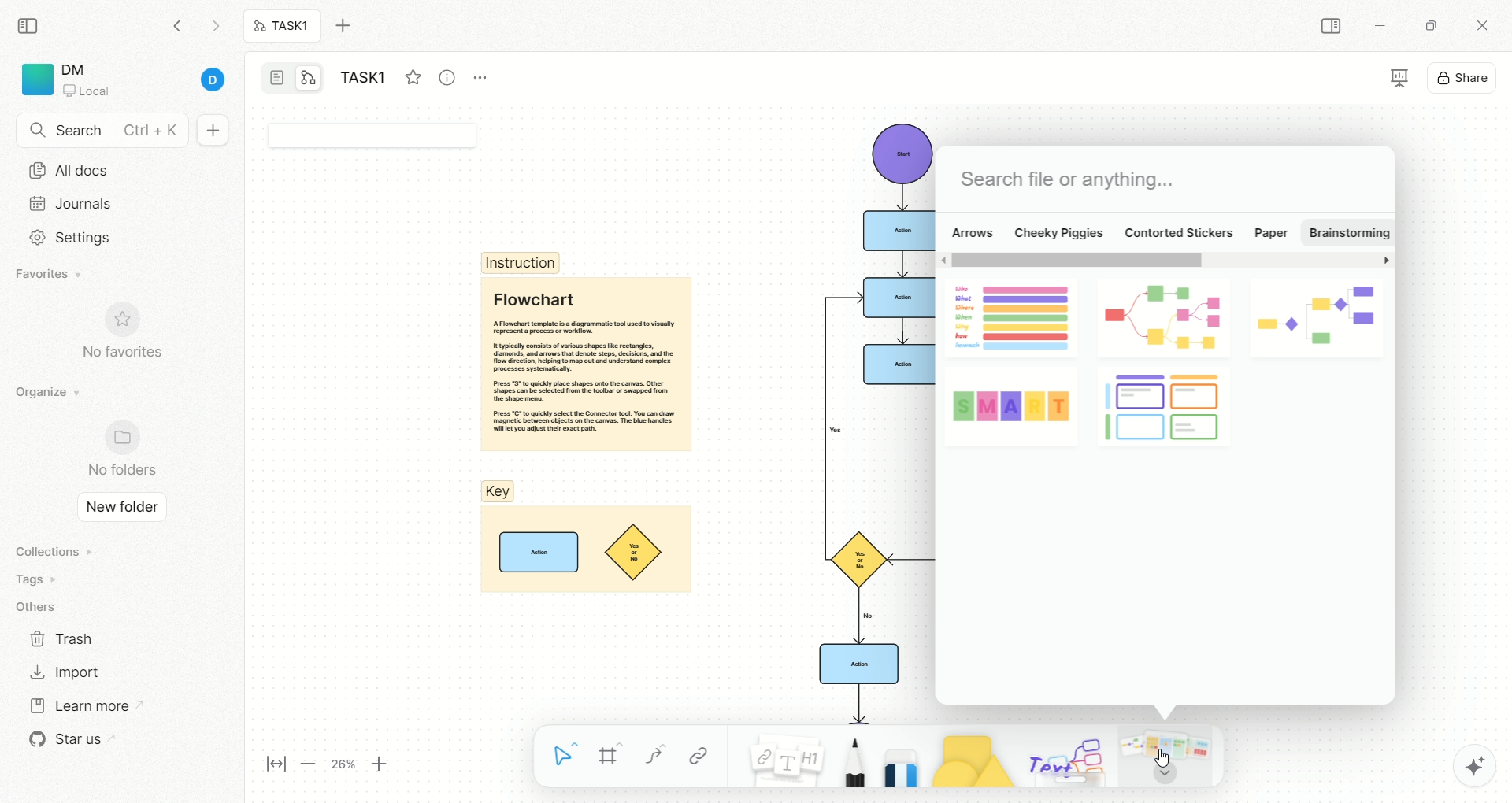  Describe the element at coordinates (309, 77) in the screenshot. I see `edgeless mode` at that location.